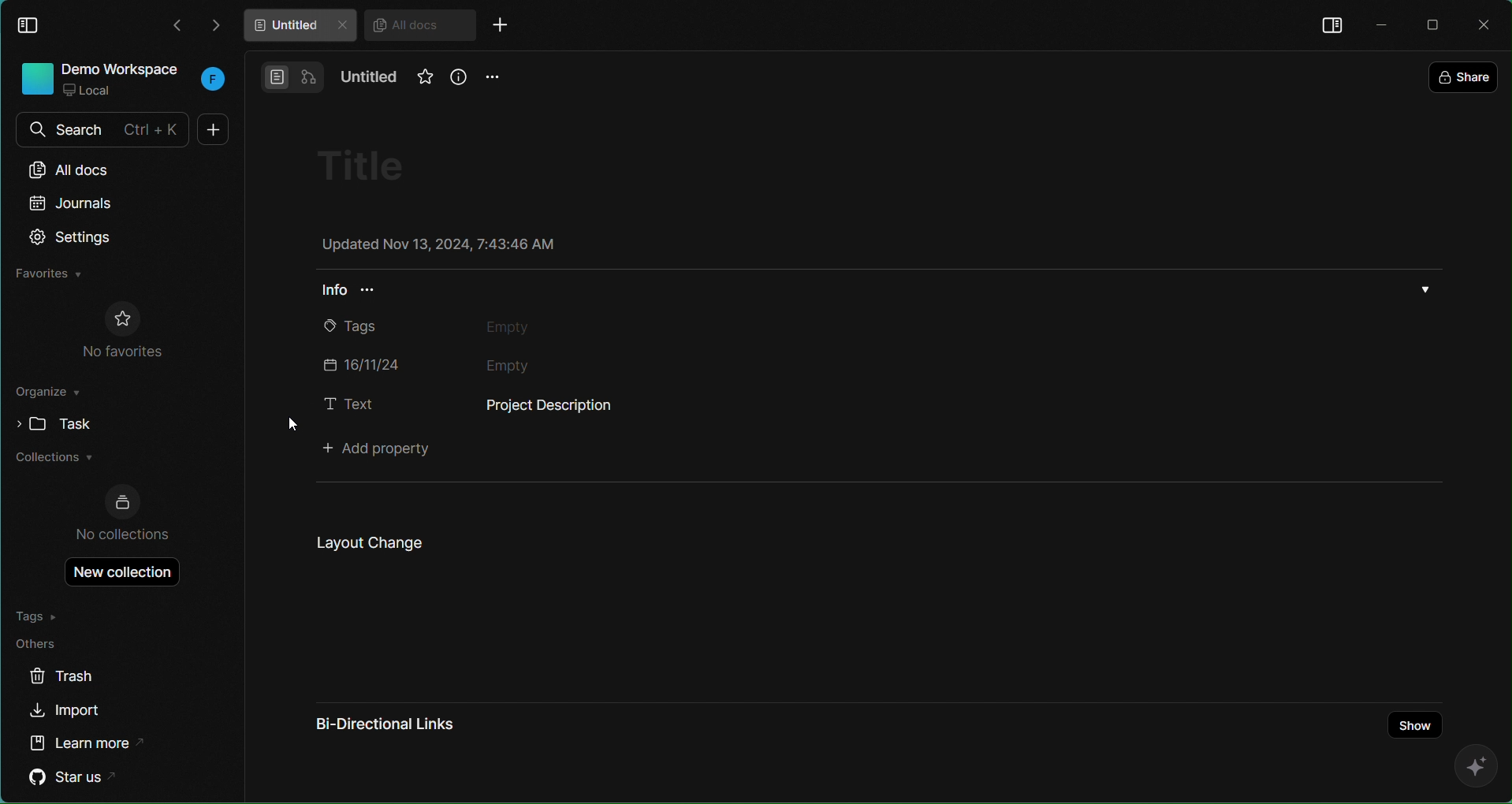 This screenshot has height=804, width=1512. Describe the element at coordinates (372, 165) in the screenshot. I see `title ` at that location.